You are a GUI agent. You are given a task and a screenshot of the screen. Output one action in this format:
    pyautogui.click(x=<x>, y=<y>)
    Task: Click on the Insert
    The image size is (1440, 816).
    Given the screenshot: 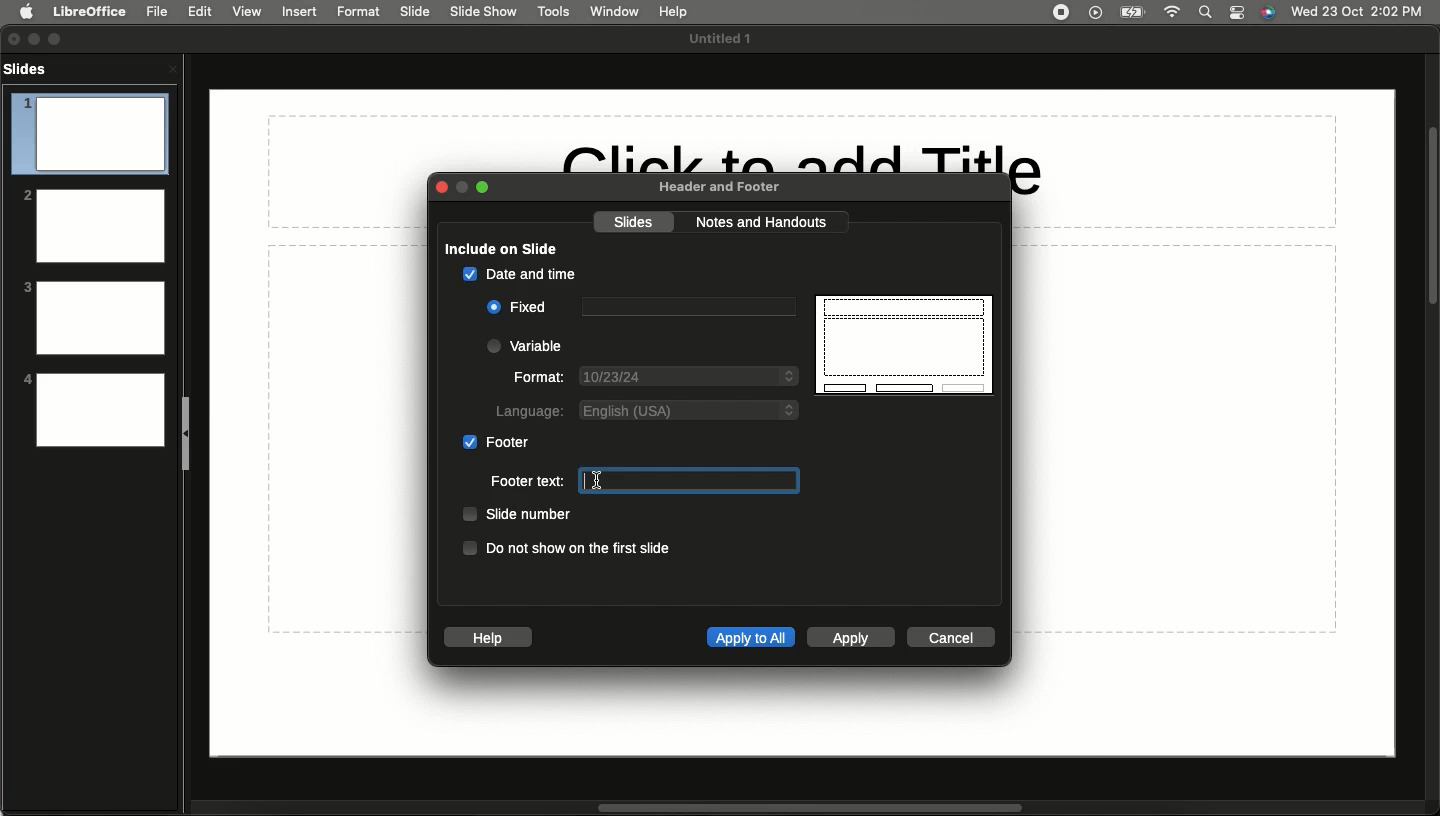 What is the action you would take?
    pyautogui.click(x=300, y=12)
    